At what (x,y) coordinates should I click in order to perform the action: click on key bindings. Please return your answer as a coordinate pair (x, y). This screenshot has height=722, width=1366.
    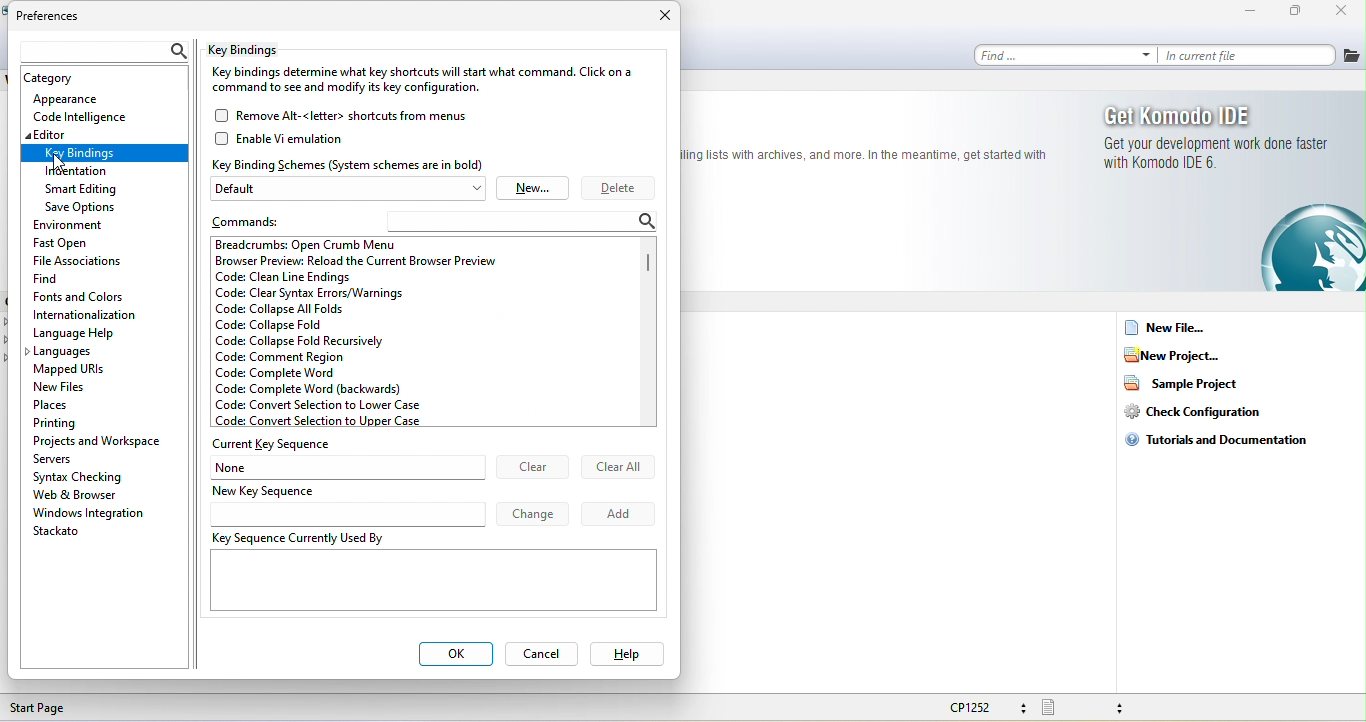
    Looking at the image, I should click on (255, 50).